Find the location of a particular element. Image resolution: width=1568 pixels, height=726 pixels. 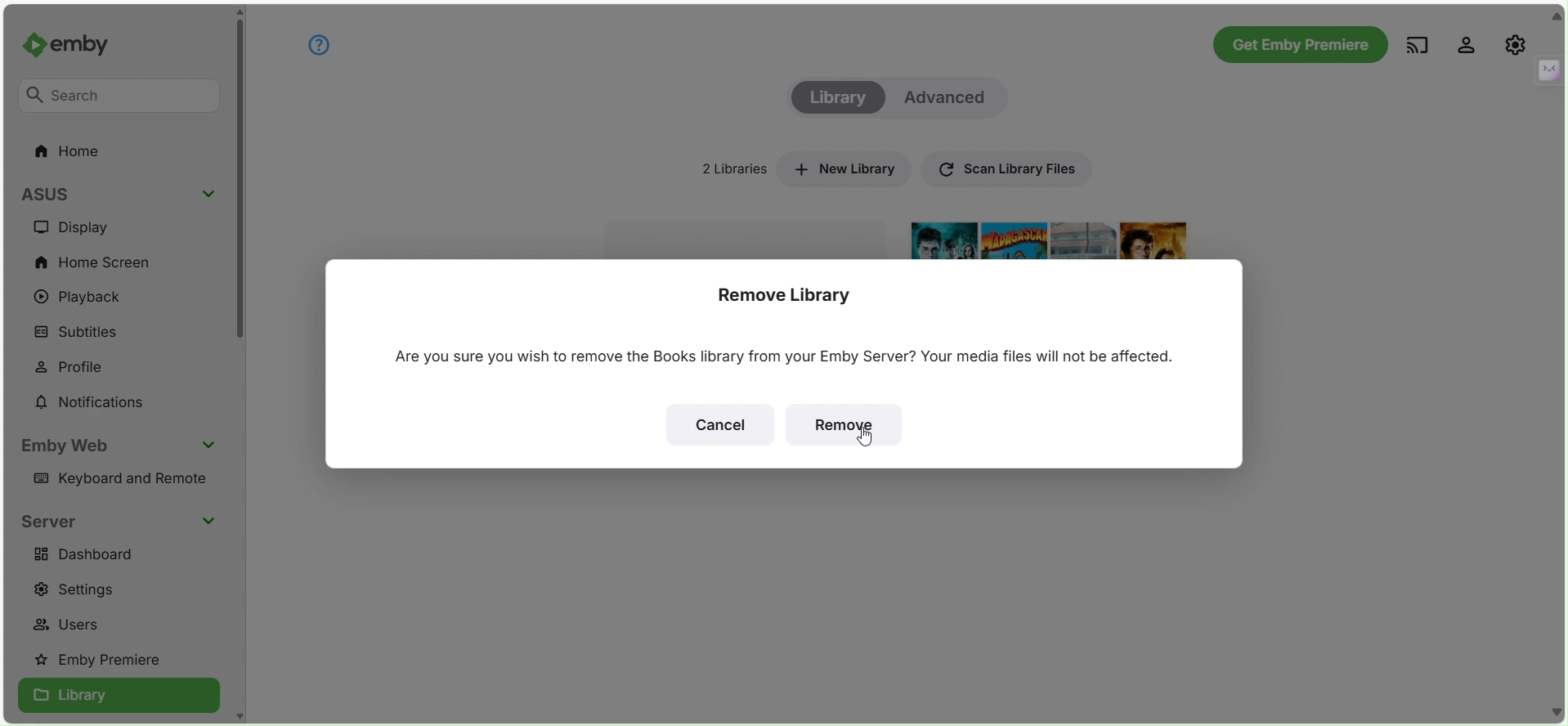

Keyboard and Remote is located at coordinates (124, 482).